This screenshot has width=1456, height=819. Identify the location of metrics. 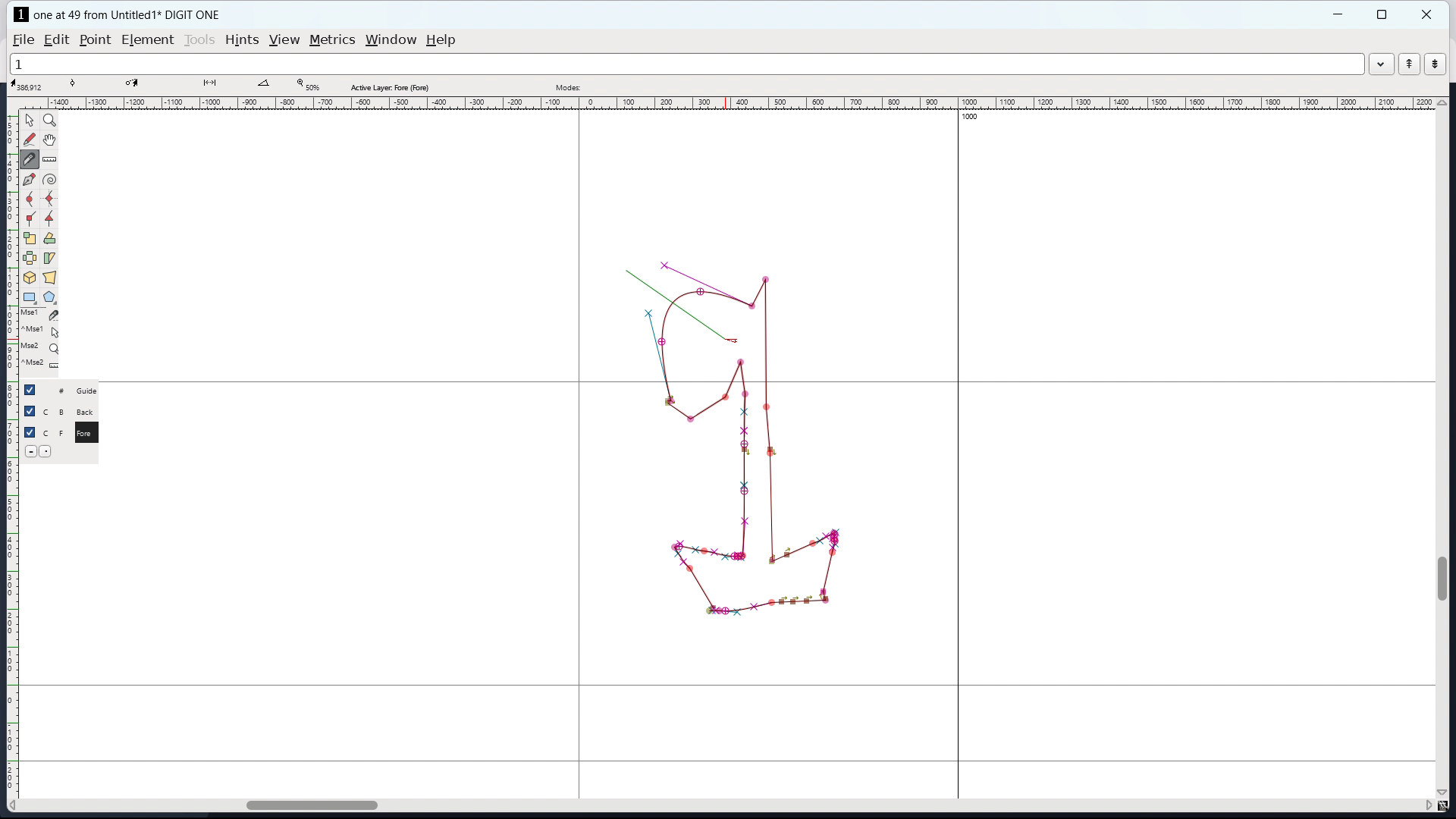
(332, 40).